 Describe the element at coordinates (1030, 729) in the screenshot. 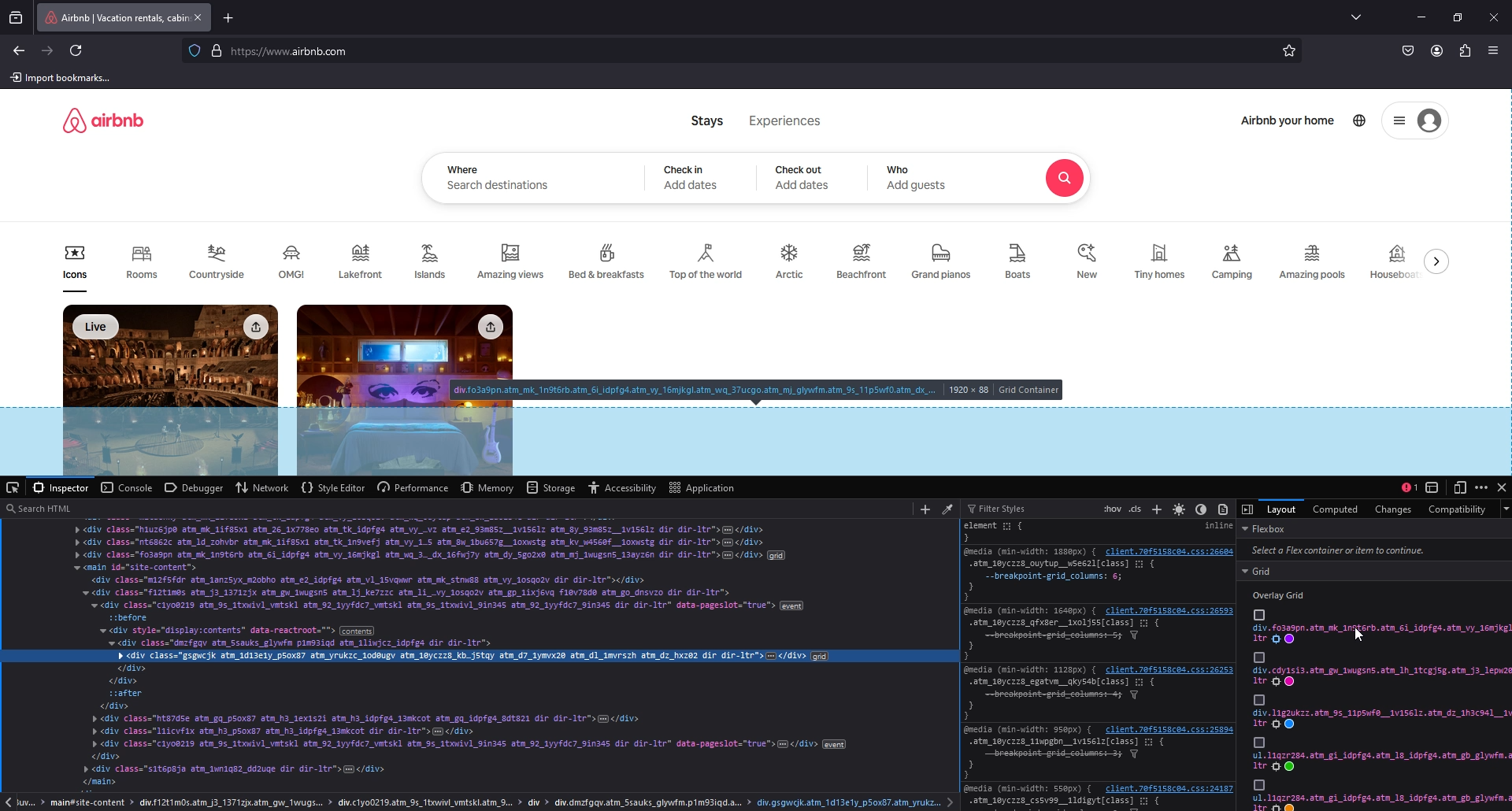

I see `media query ` at that location.